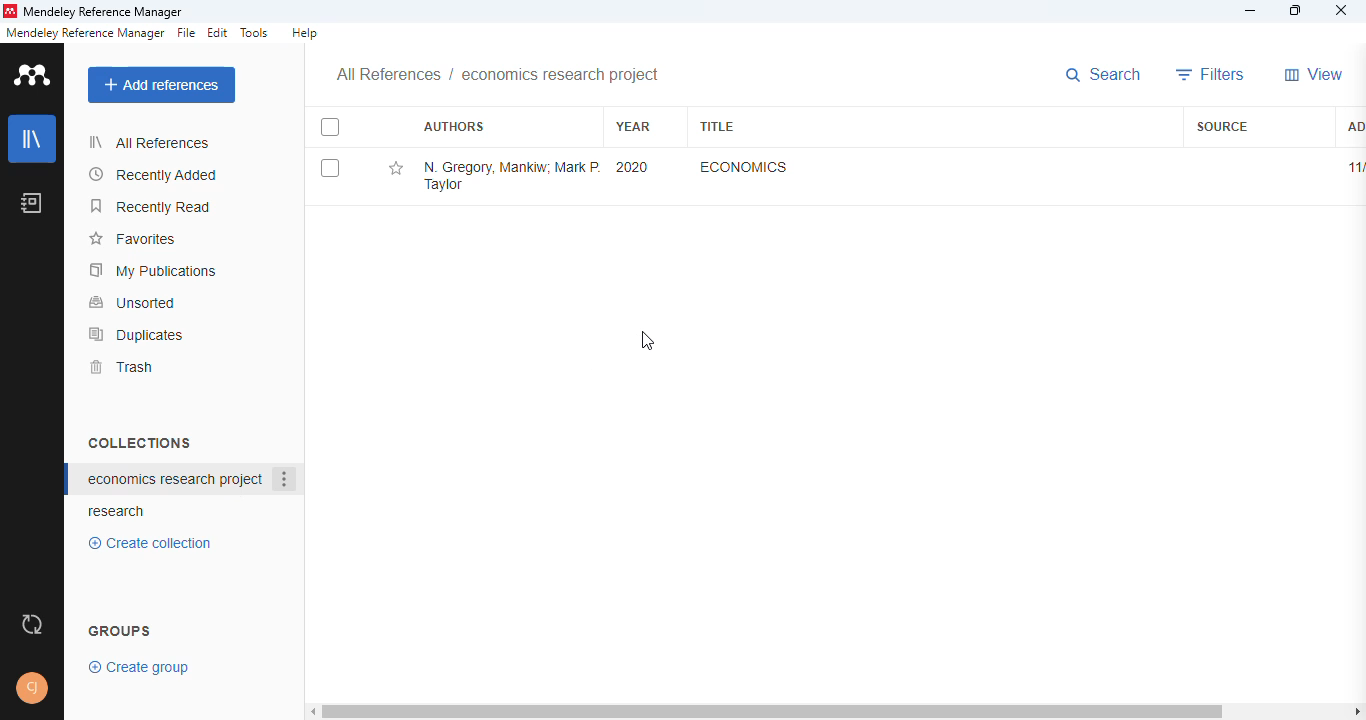  What do you see at coordinates (219, 33) in the screenshot?
I see `edit` at bounding box center [219, 33].